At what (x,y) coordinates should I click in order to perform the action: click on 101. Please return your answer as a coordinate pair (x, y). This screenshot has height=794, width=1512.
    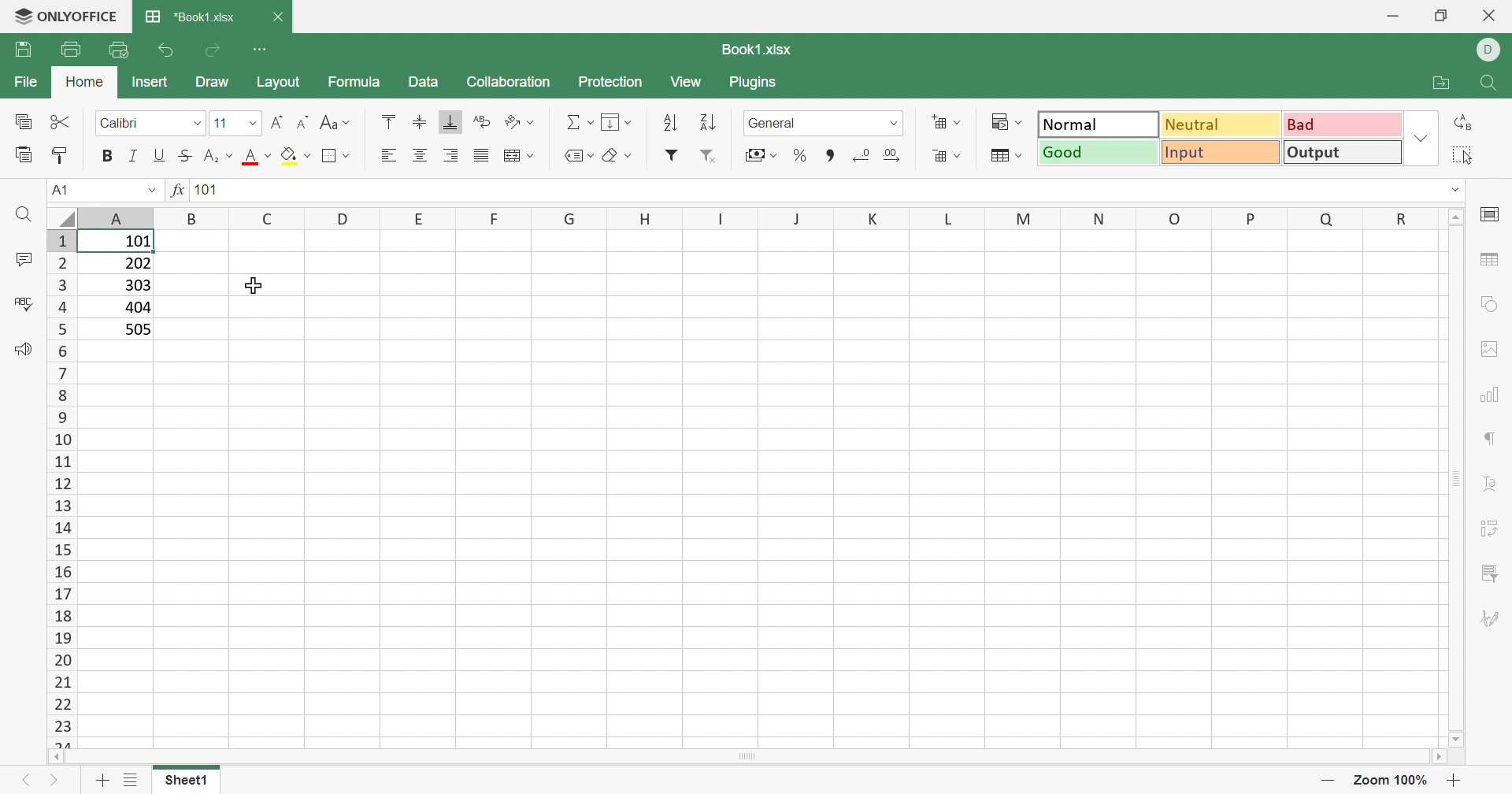
    Looking at the image, I should click on (207, 191).